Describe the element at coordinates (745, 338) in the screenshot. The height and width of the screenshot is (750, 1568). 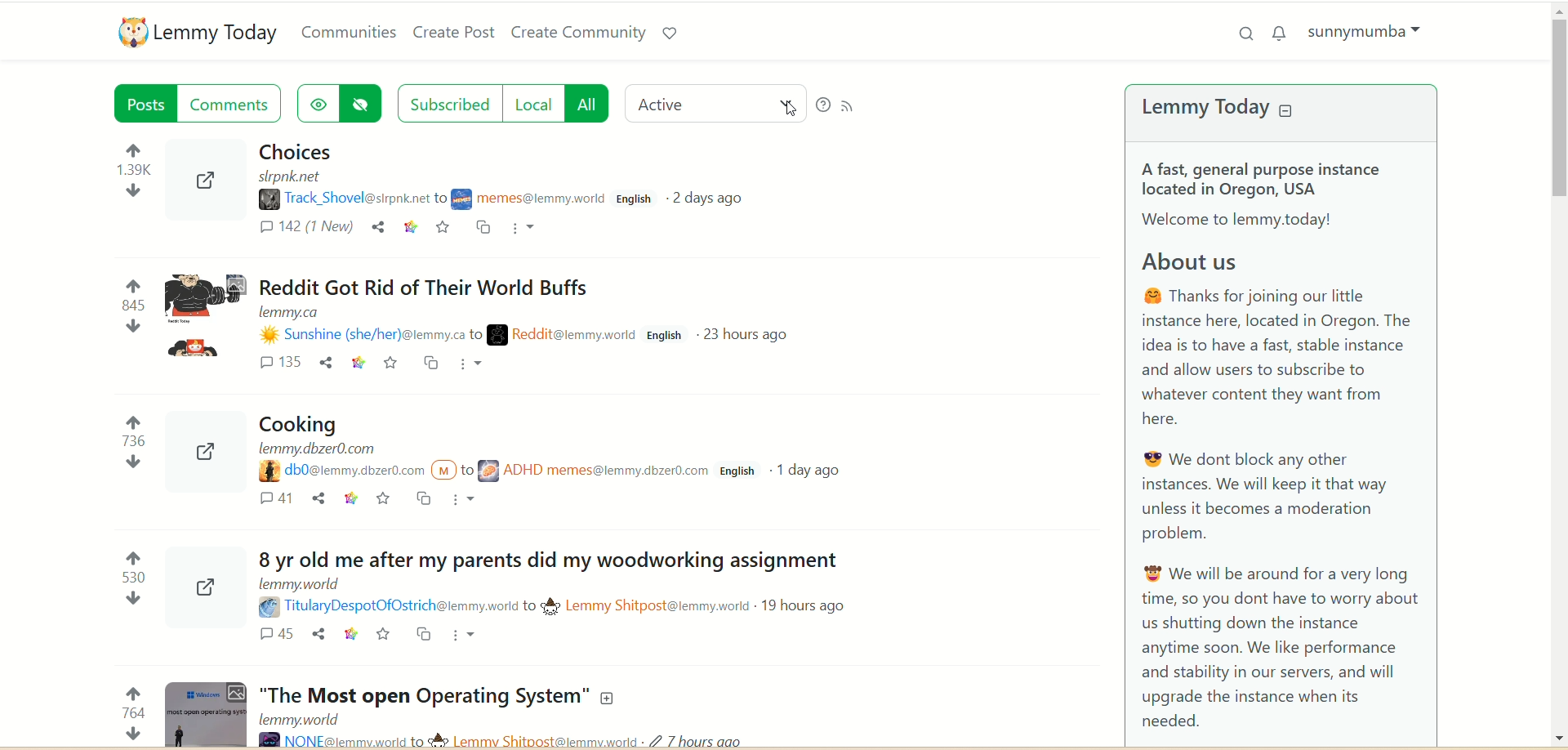
I see `23 hours ago` at that location.